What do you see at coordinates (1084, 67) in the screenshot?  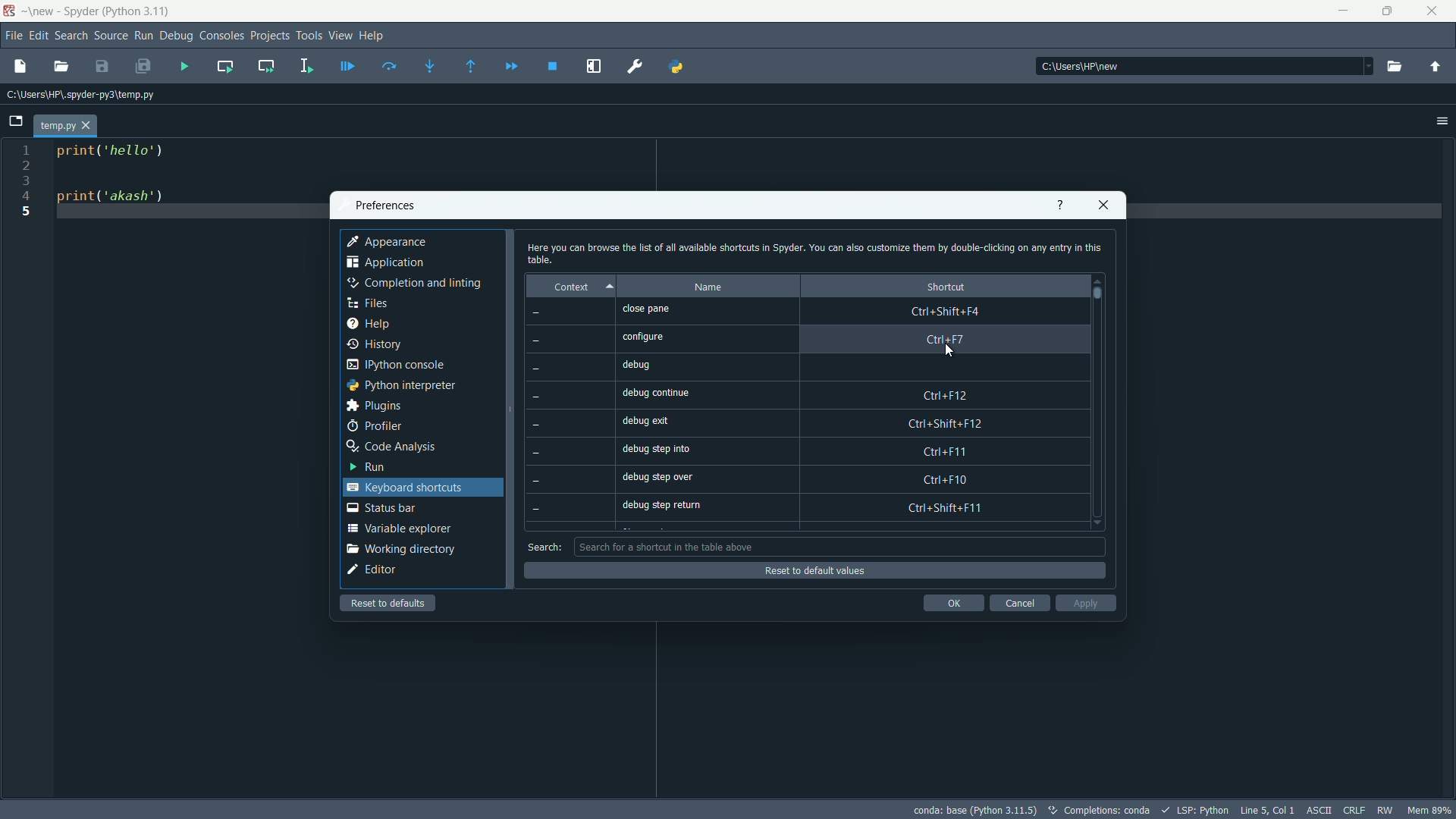 I see `directory` at bounding box center [1084, 67].